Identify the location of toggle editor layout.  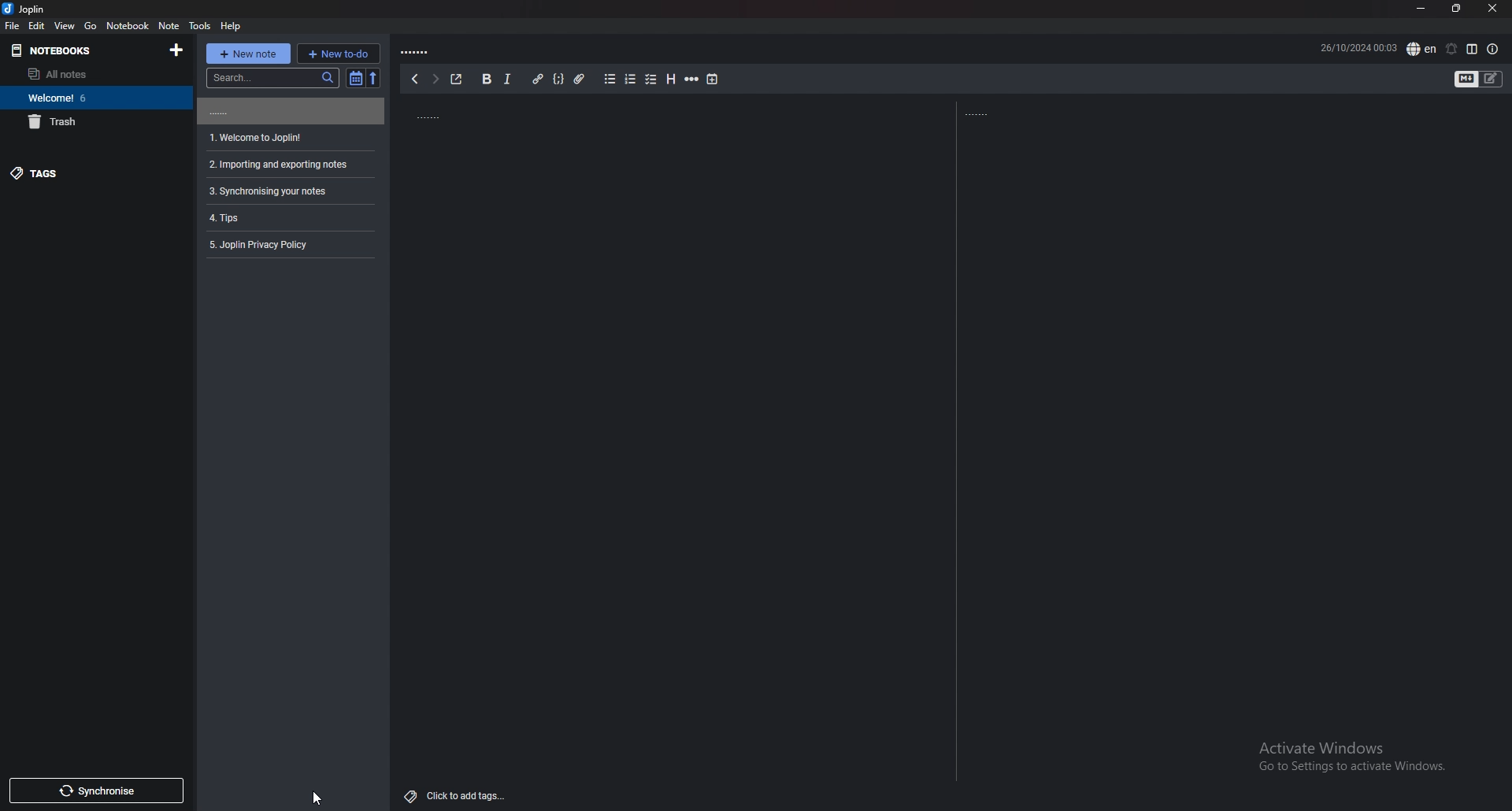
(1473, 49).